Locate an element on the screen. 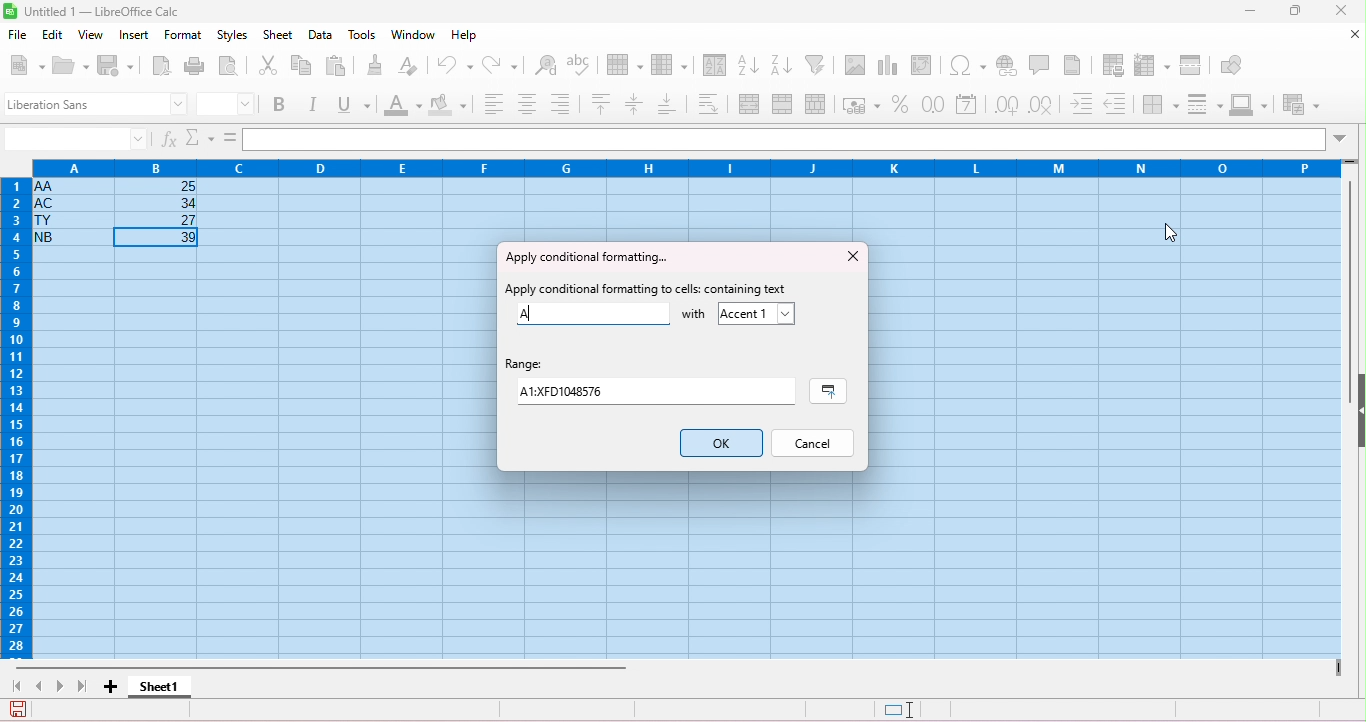 This screenshot has height=722, width=1366. close is located at coordinates (1354, 35).